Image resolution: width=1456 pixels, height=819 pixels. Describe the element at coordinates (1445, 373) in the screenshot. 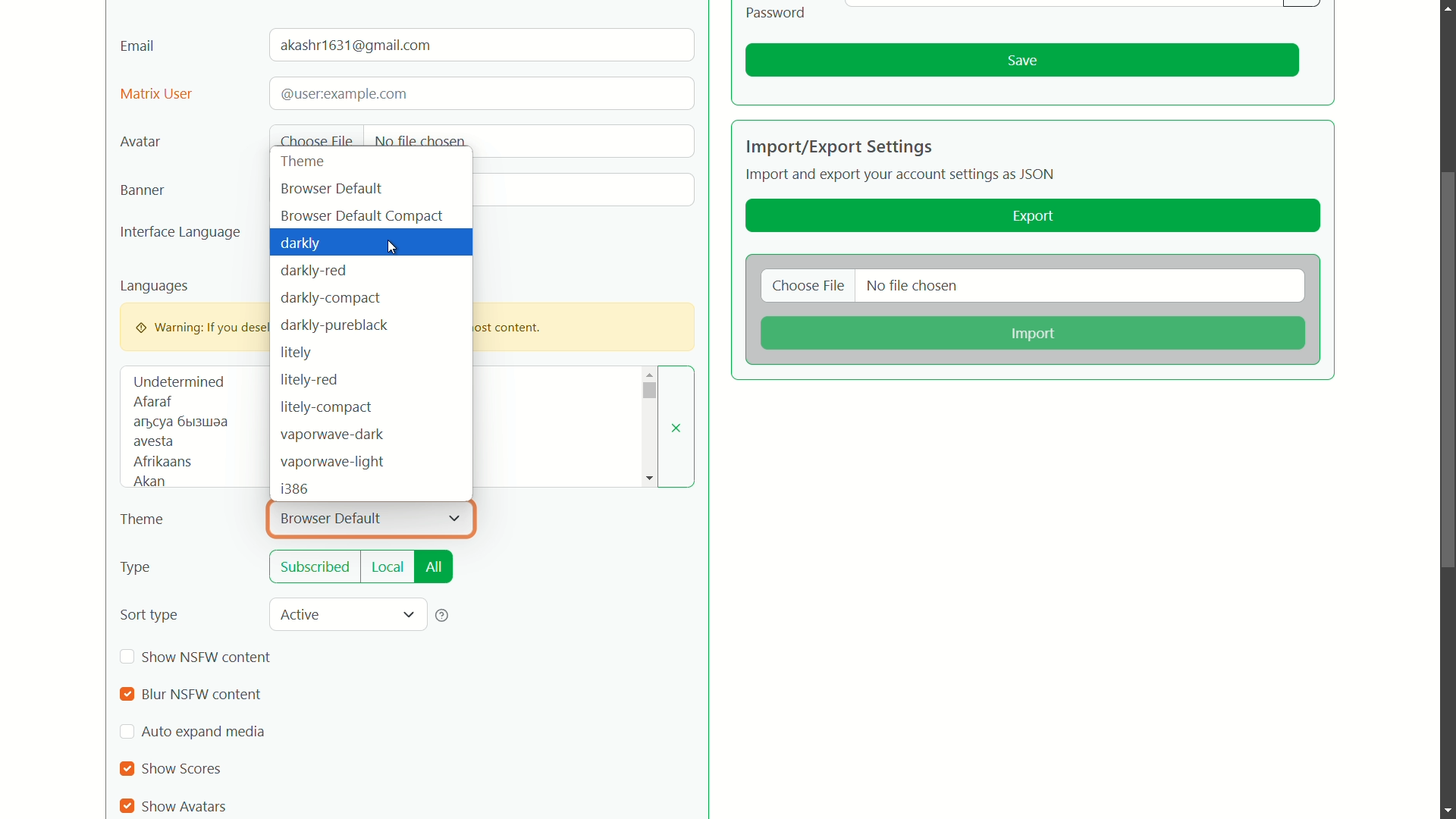

I see `scroll bar` at that location.